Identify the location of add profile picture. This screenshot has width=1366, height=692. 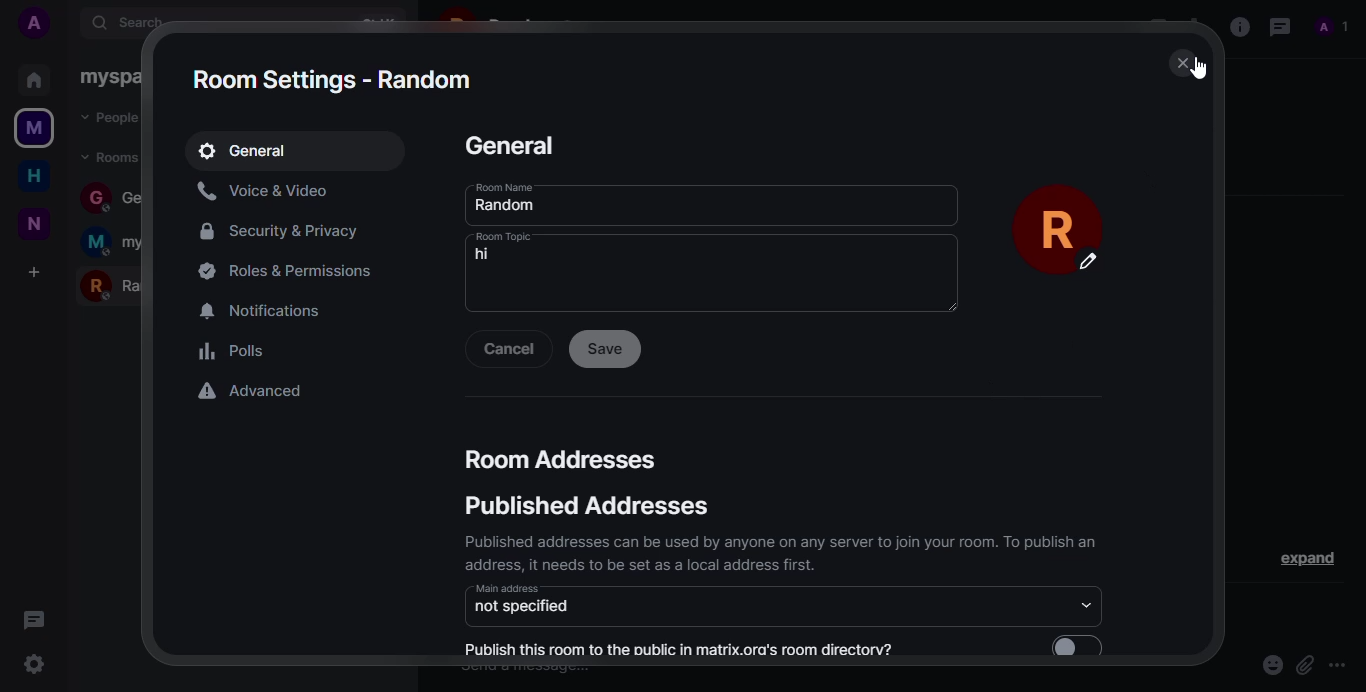
(37, 22).